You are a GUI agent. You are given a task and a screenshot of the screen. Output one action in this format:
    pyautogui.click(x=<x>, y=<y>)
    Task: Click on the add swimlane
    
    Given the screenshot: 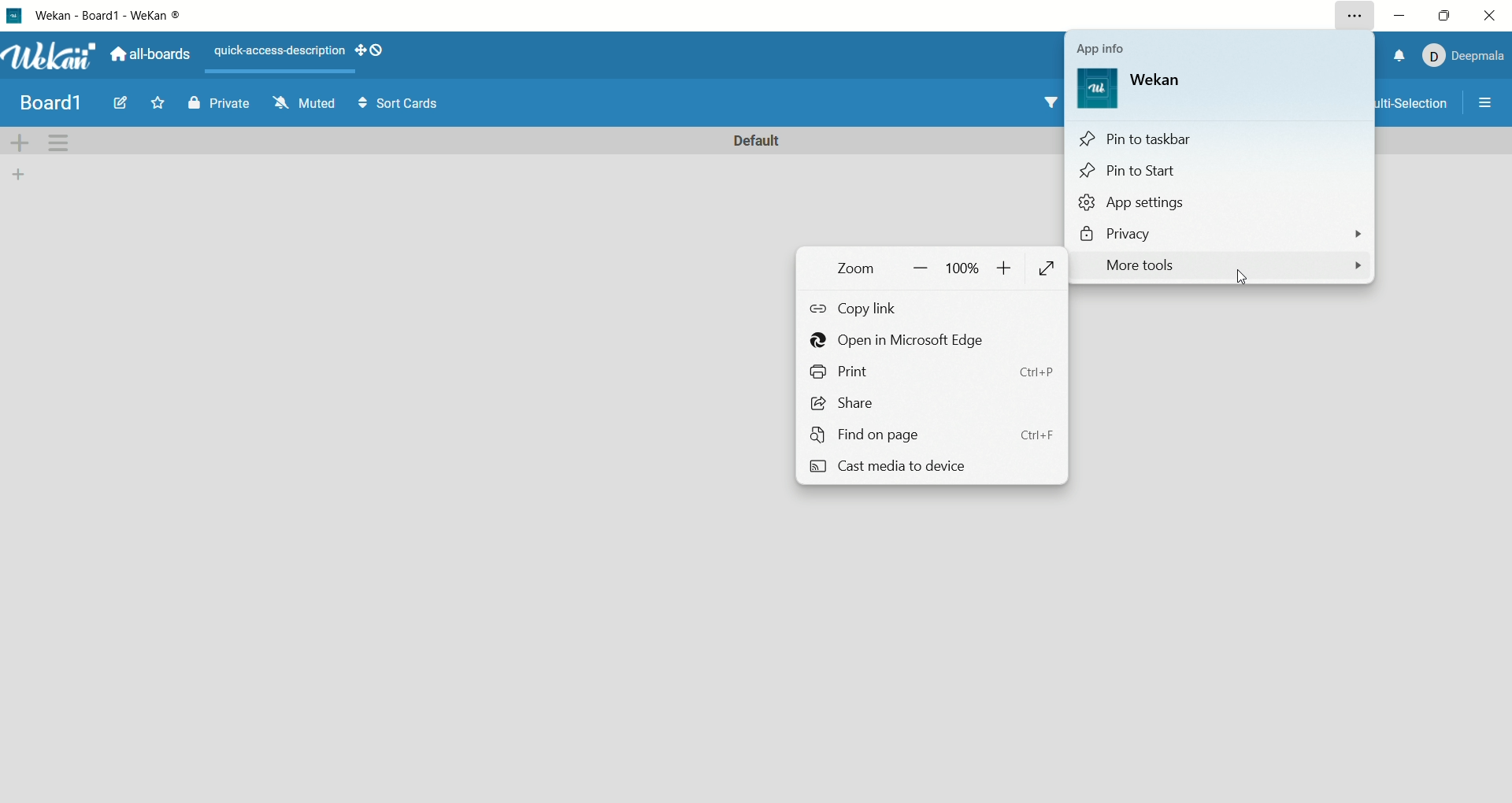 What is the action you would take?
    pyautogui.click(x=21, y=145)
    